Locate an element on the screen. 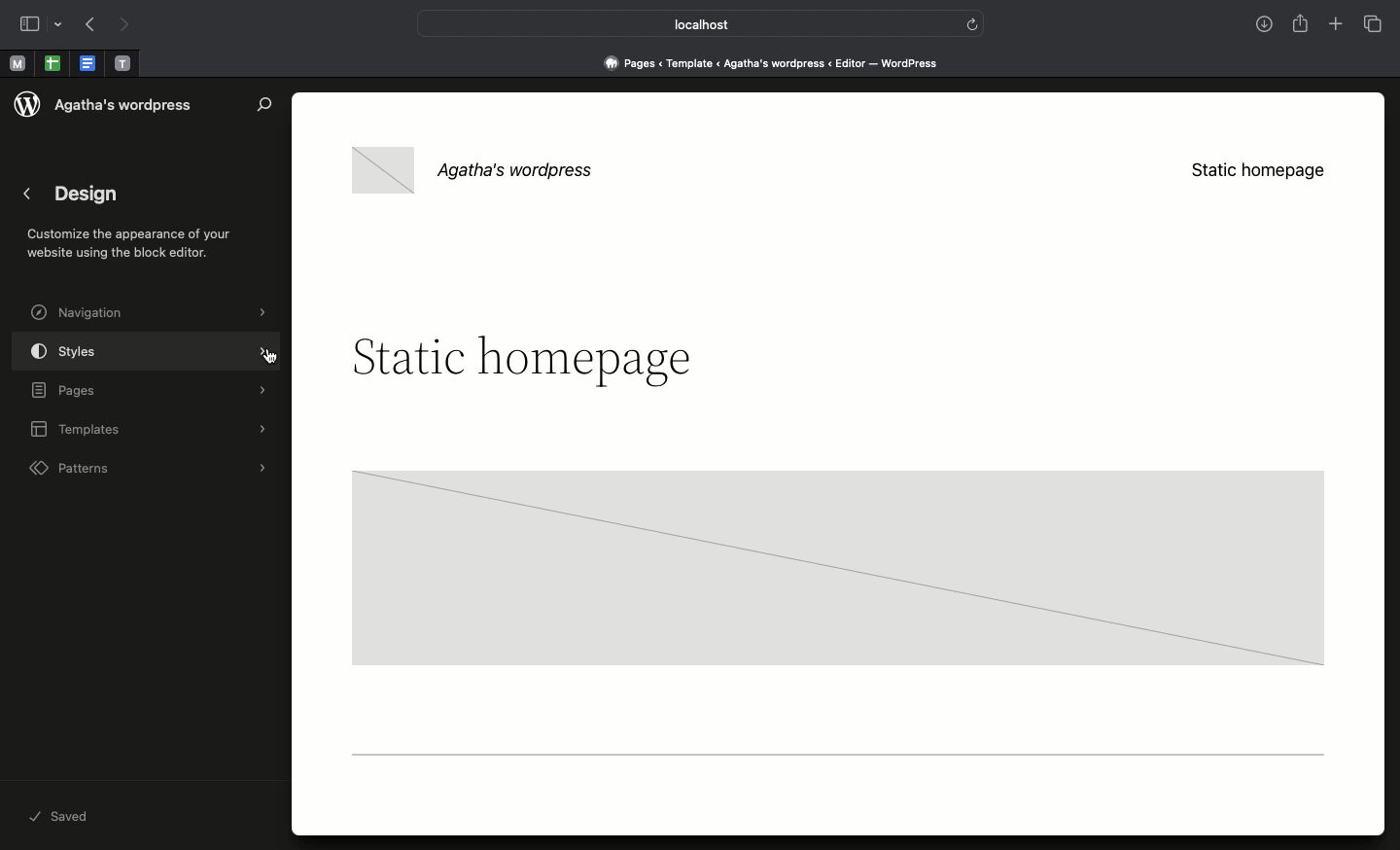  Previous page is located at coordinates (88, 26).